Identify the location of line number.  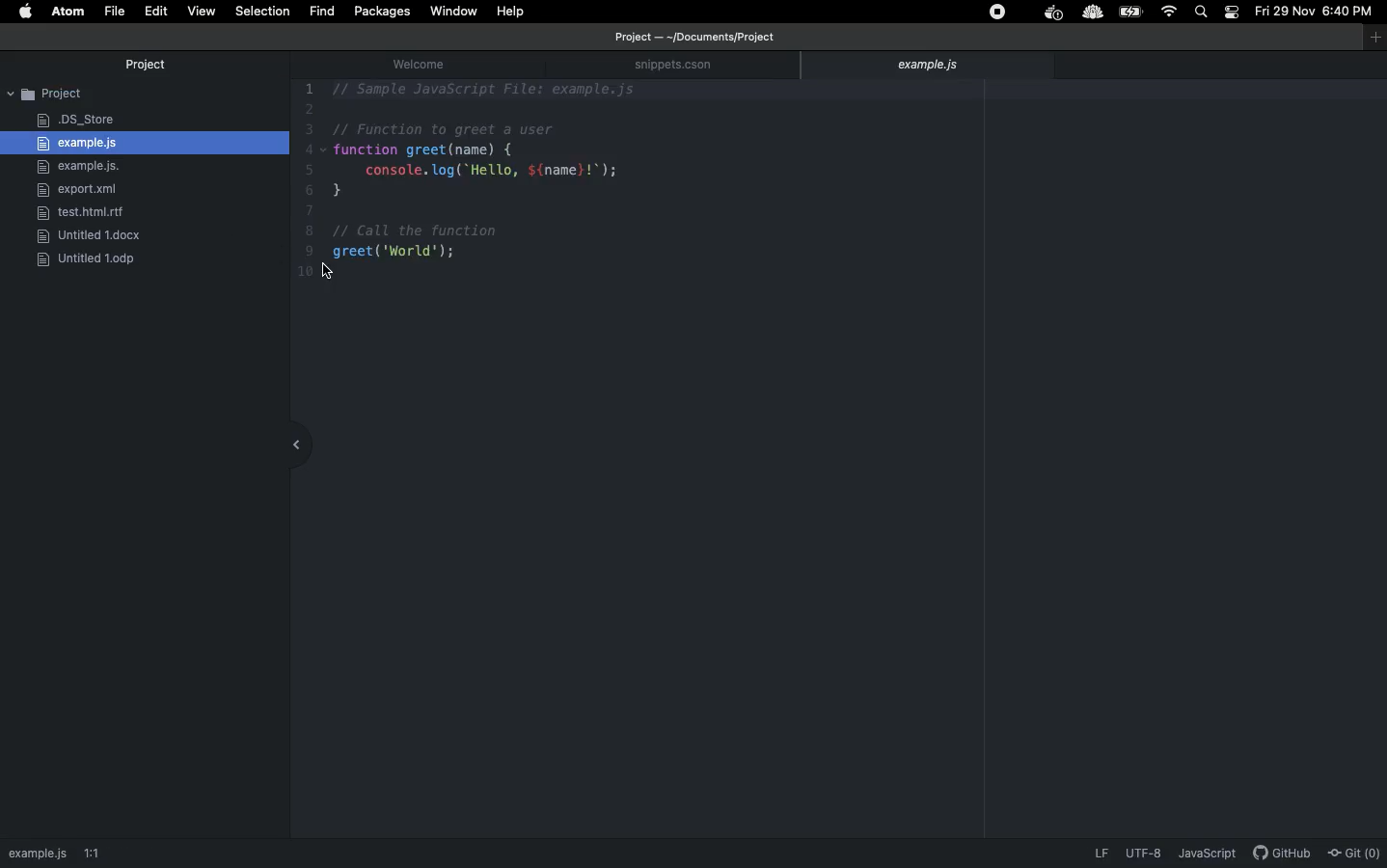
(306, 190).